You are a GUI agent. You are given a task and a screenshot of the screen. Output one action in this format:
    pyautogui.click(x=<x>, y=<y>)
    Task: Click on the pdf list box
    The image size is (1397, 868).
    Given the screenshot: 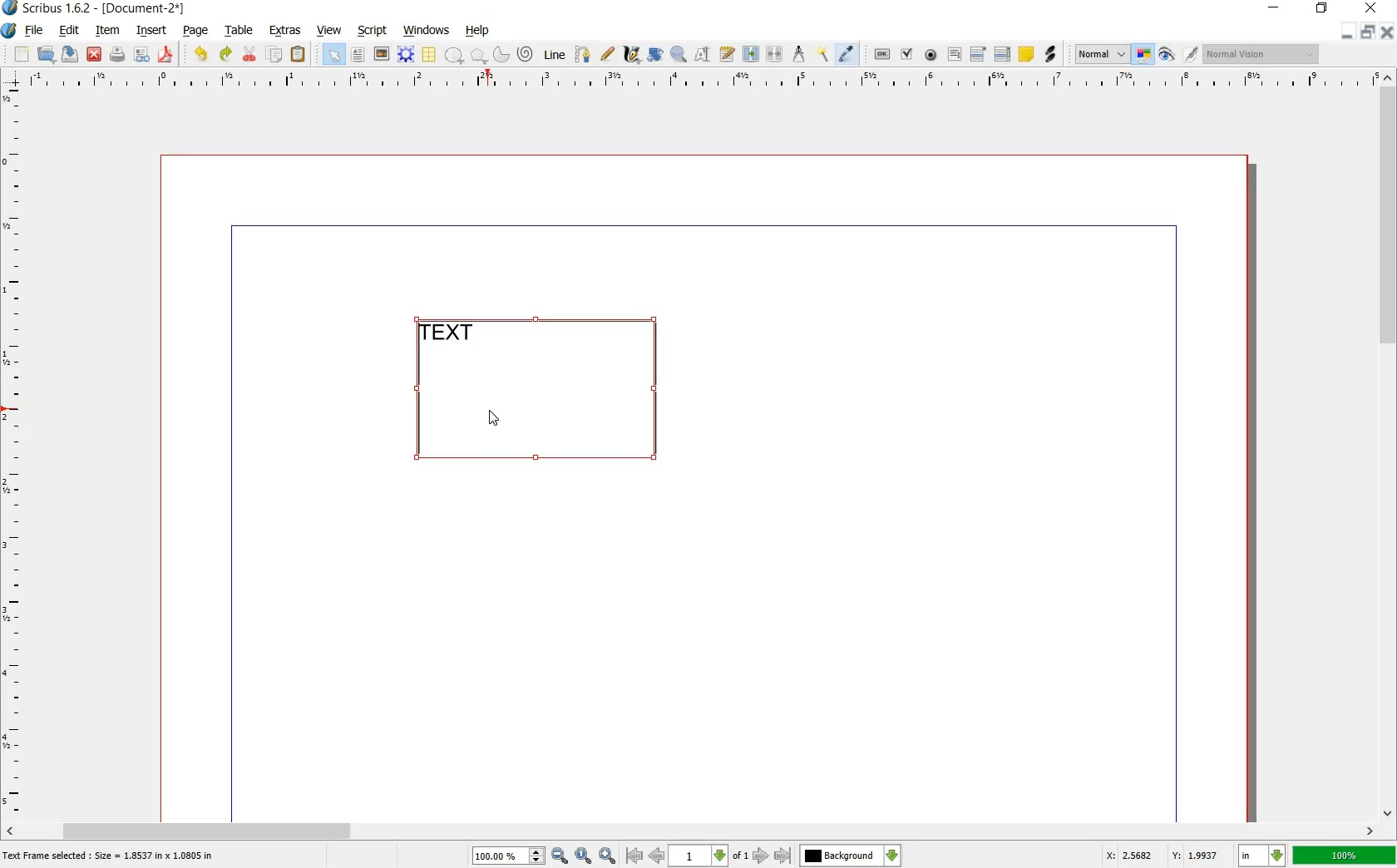 What is the action you would take?
    pyautogui.click(x=1002, y=53)
    